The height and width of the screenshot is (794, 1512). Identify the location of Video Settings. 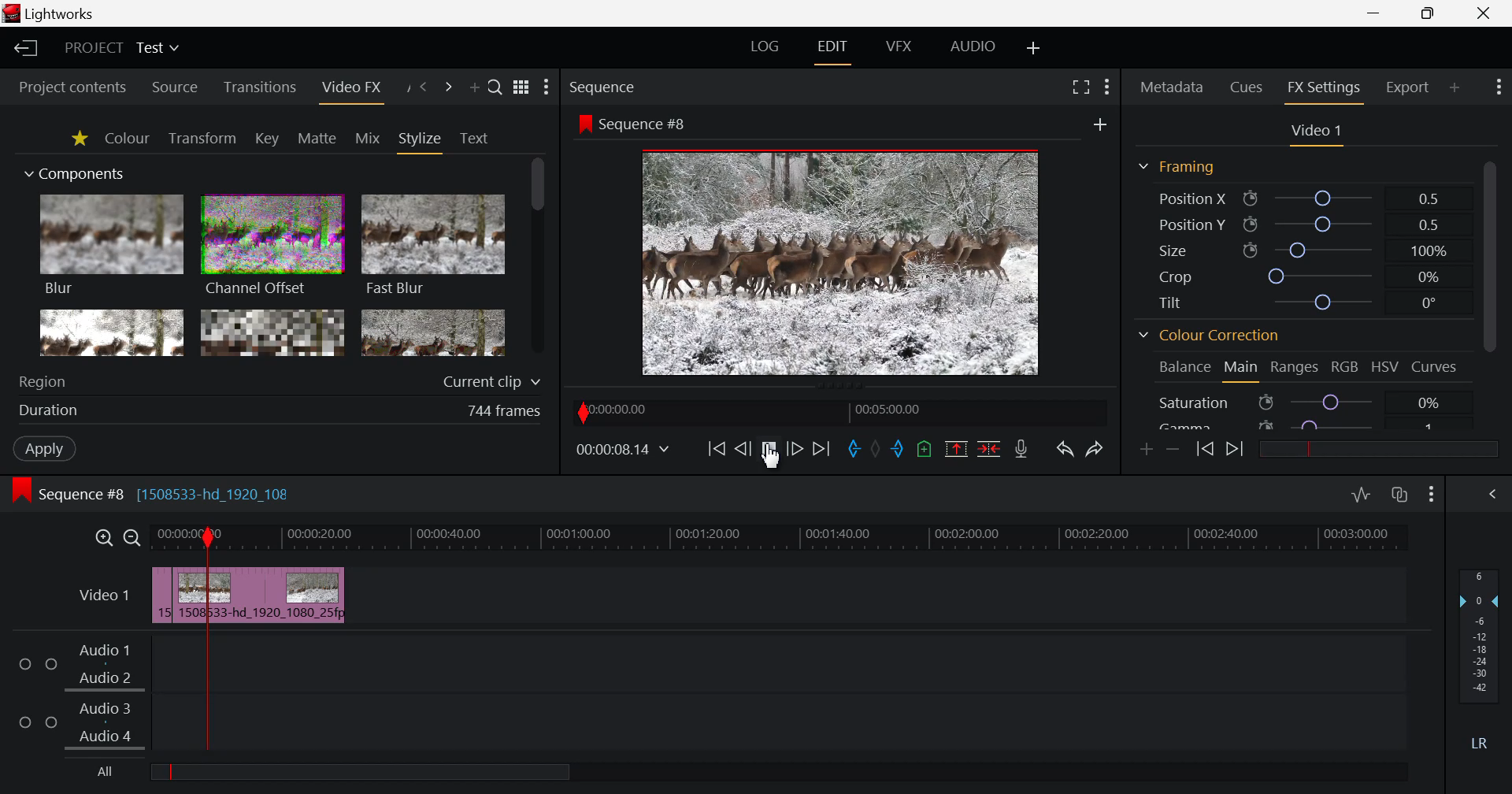
(1314, 133).